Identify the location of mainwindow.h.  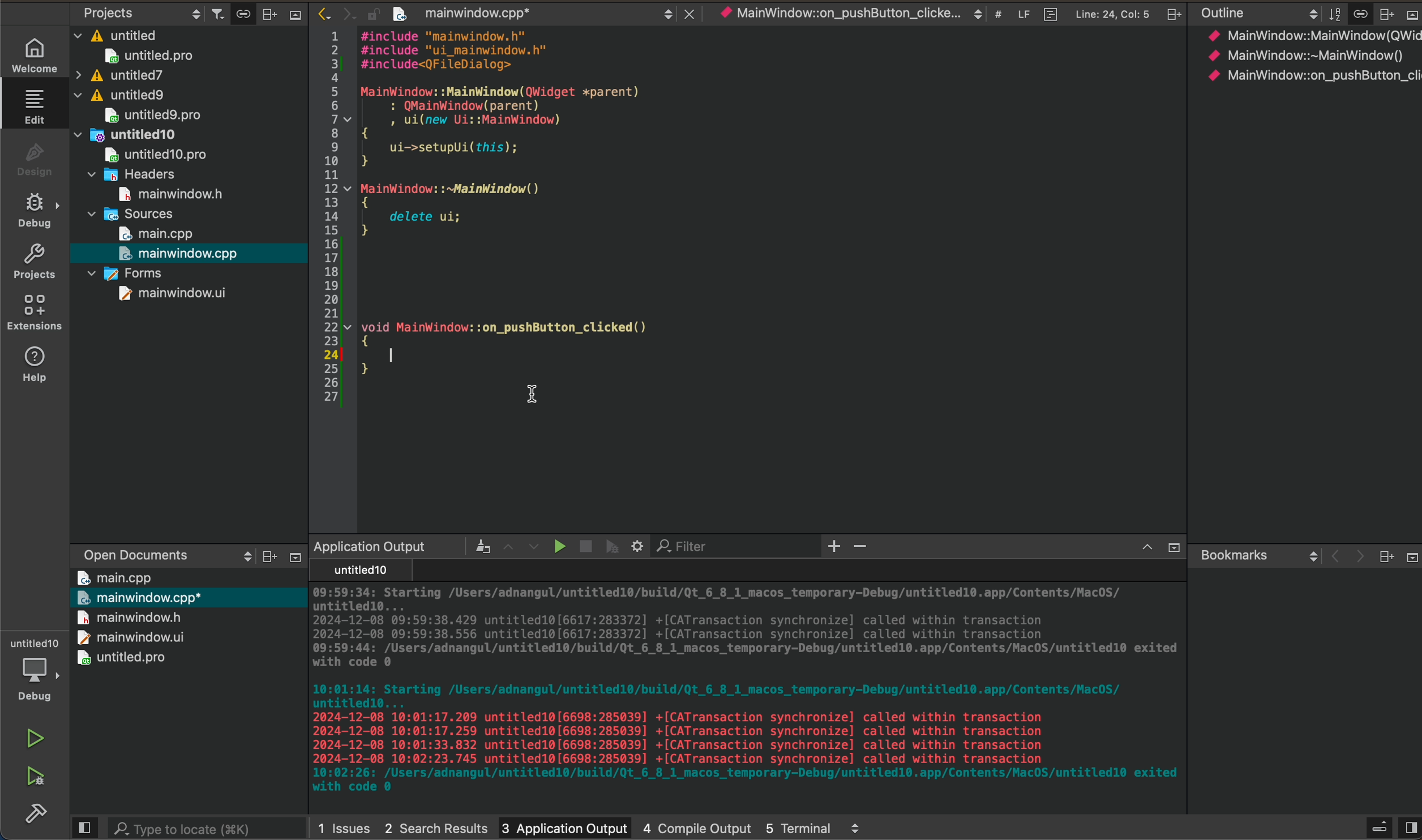
(130, 617).